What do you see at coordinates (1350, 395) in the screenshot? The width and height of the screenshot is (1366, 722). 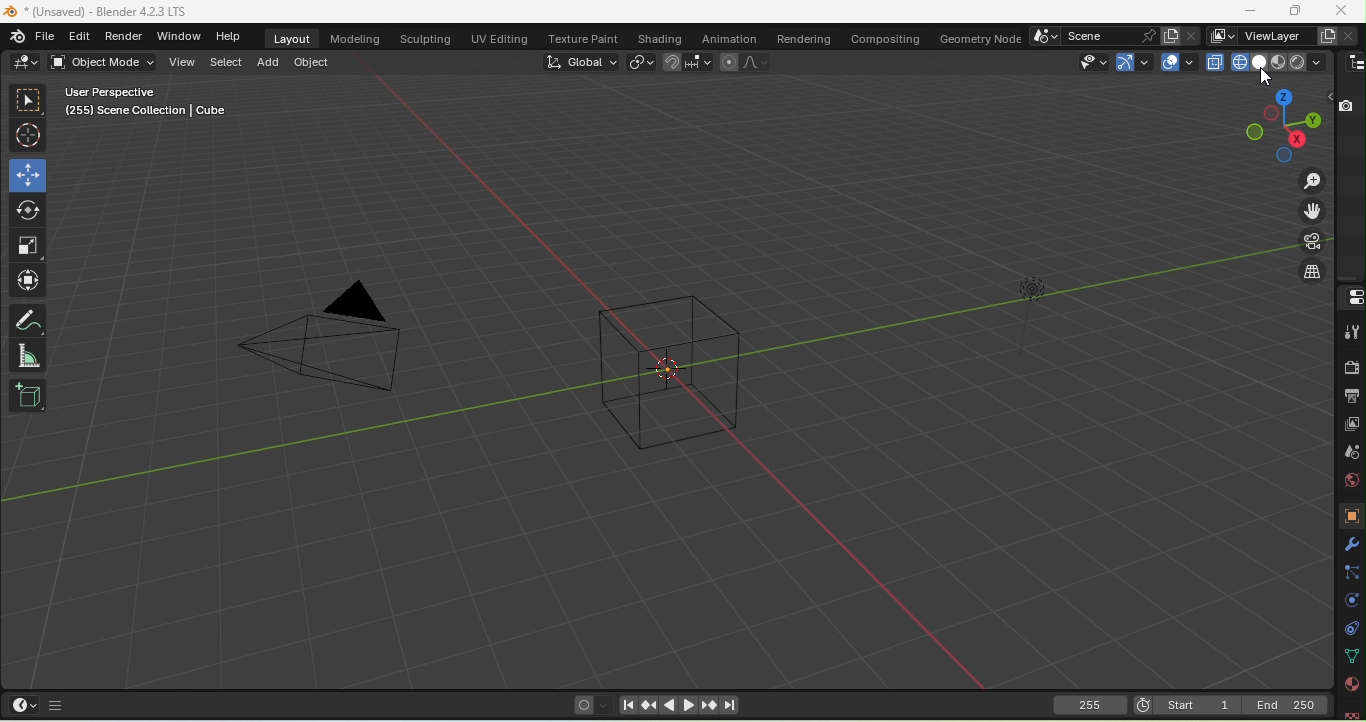 I see `Output` at bounding box center [1350, 395].